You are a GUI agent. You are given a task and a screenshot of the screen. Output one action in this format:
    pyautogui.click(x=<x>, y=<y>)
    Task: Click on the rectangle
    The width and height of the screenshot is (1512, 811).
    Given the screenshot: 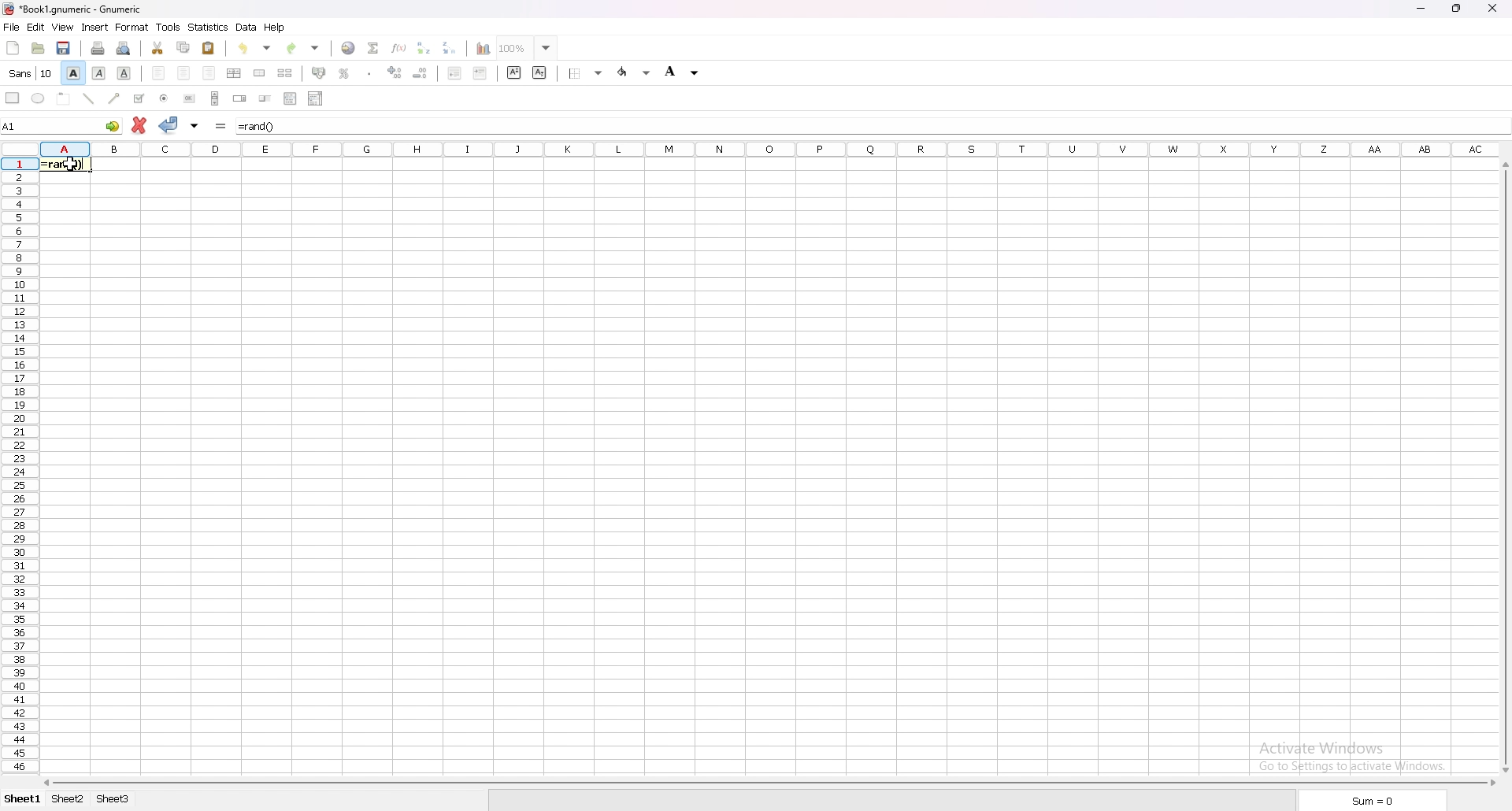 What is the action you would take?
    pyautogui.click(x=13, y=98)
    